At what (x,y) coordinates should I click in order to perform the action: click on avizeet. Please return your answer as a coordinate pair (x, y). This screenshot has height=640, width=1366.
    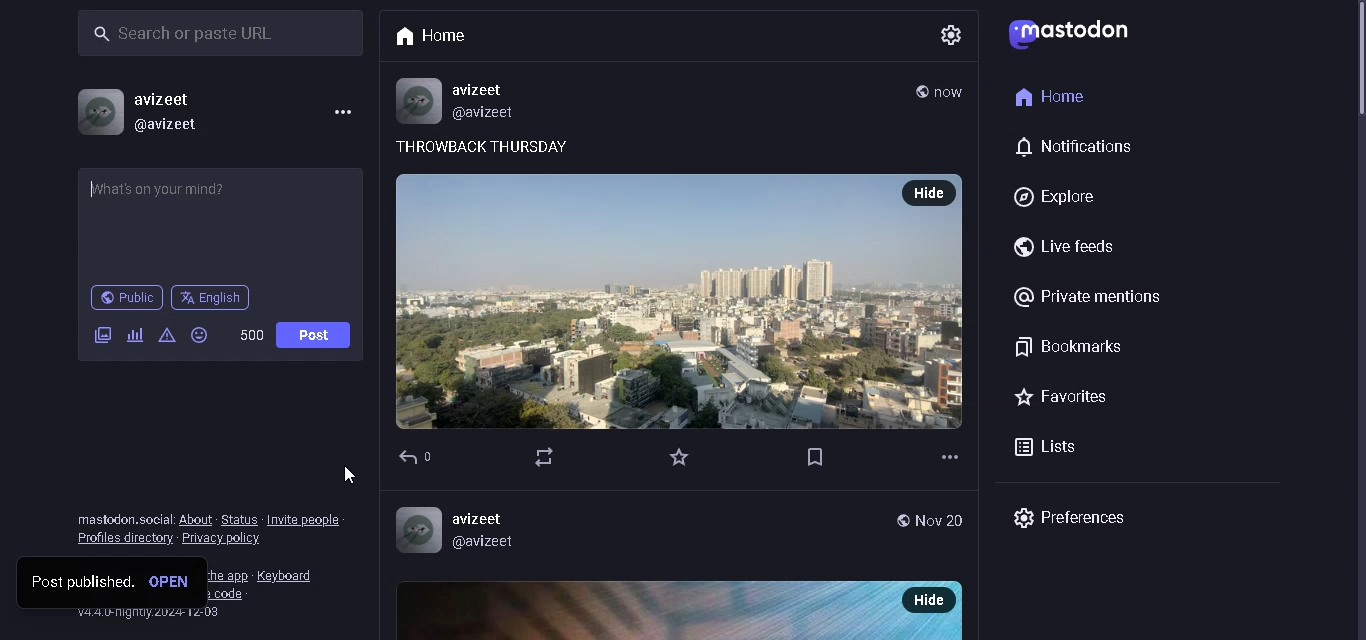
    Looking at the image, I should click on (505, 91).